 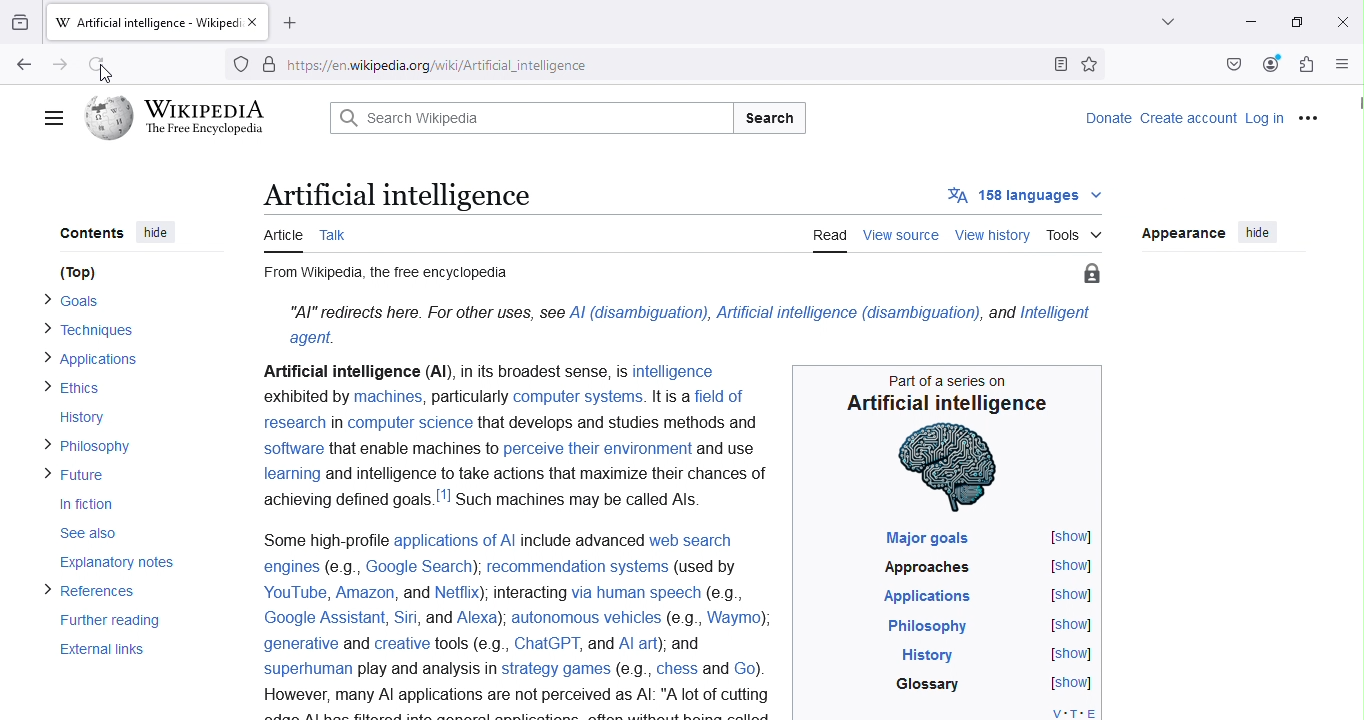 I want to click on WIKIPEDIA The Free Encyclopedia, so click(x=209, y=115).